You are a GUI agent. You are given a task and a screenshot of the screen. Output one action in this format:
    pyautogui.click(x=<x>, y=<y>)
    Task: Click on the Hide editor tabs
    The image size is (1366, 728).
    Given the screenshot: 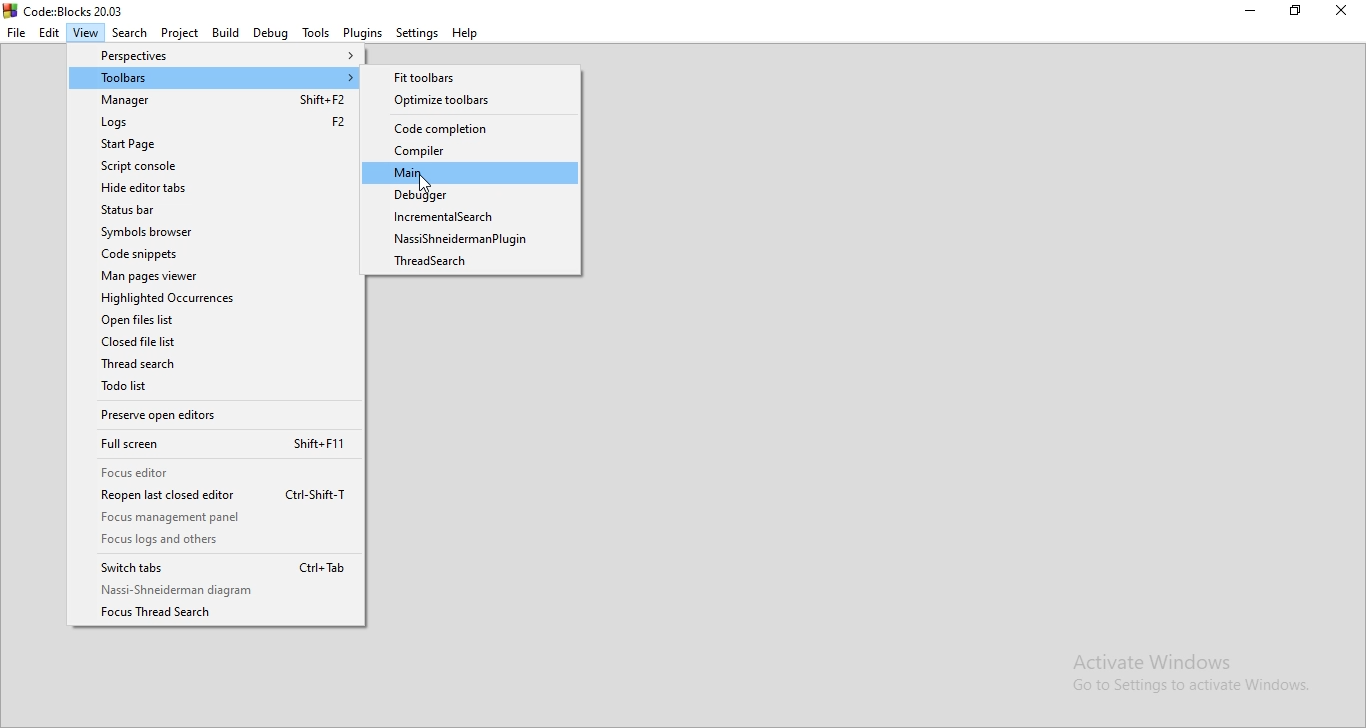 What is the action you would take?
    pyautogui.click(x=213, y=188)
    